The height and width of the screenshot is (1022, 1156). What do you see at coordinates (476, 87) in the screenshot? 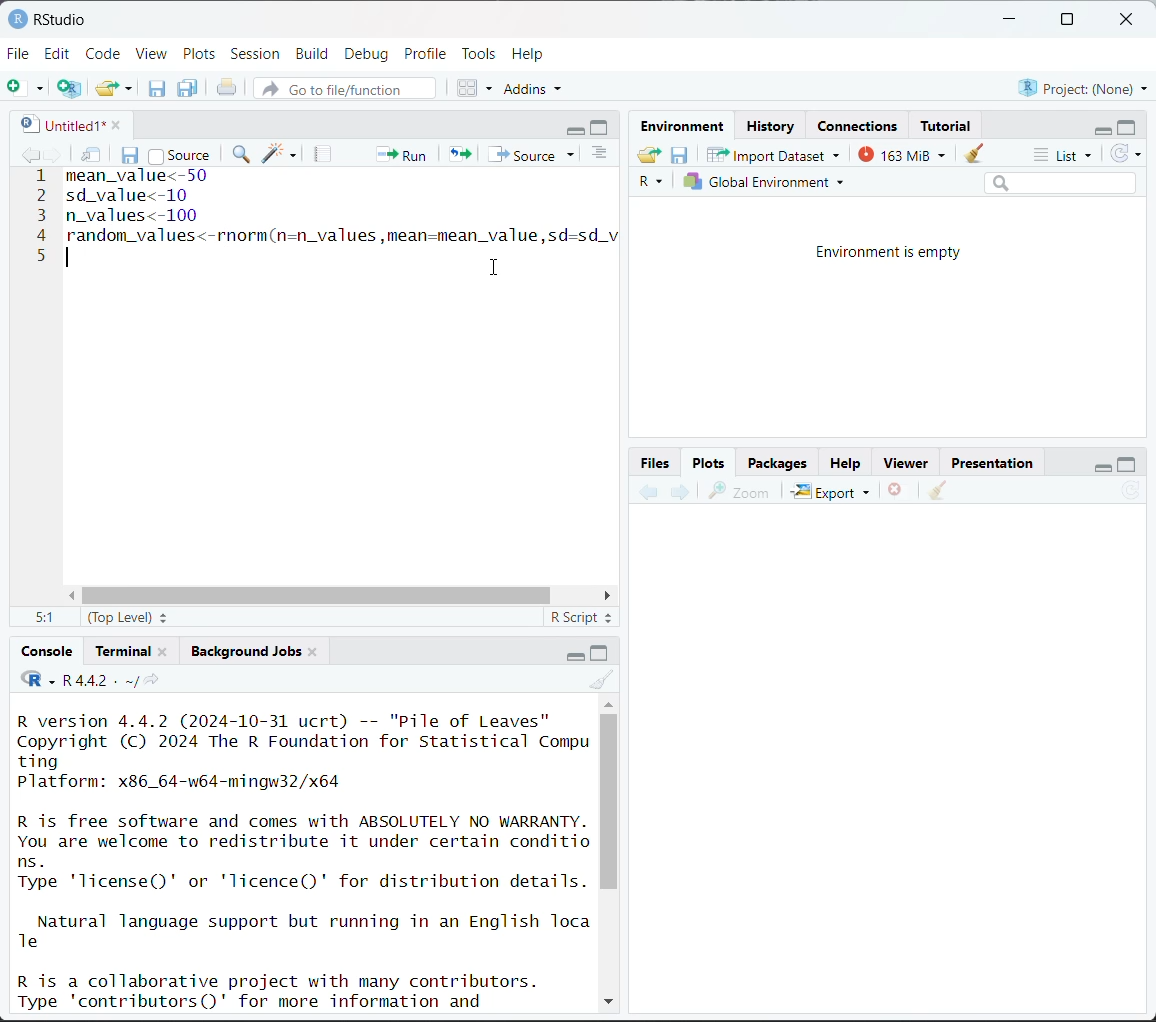
I see `workspace panes` at bounding box center [476, 87].